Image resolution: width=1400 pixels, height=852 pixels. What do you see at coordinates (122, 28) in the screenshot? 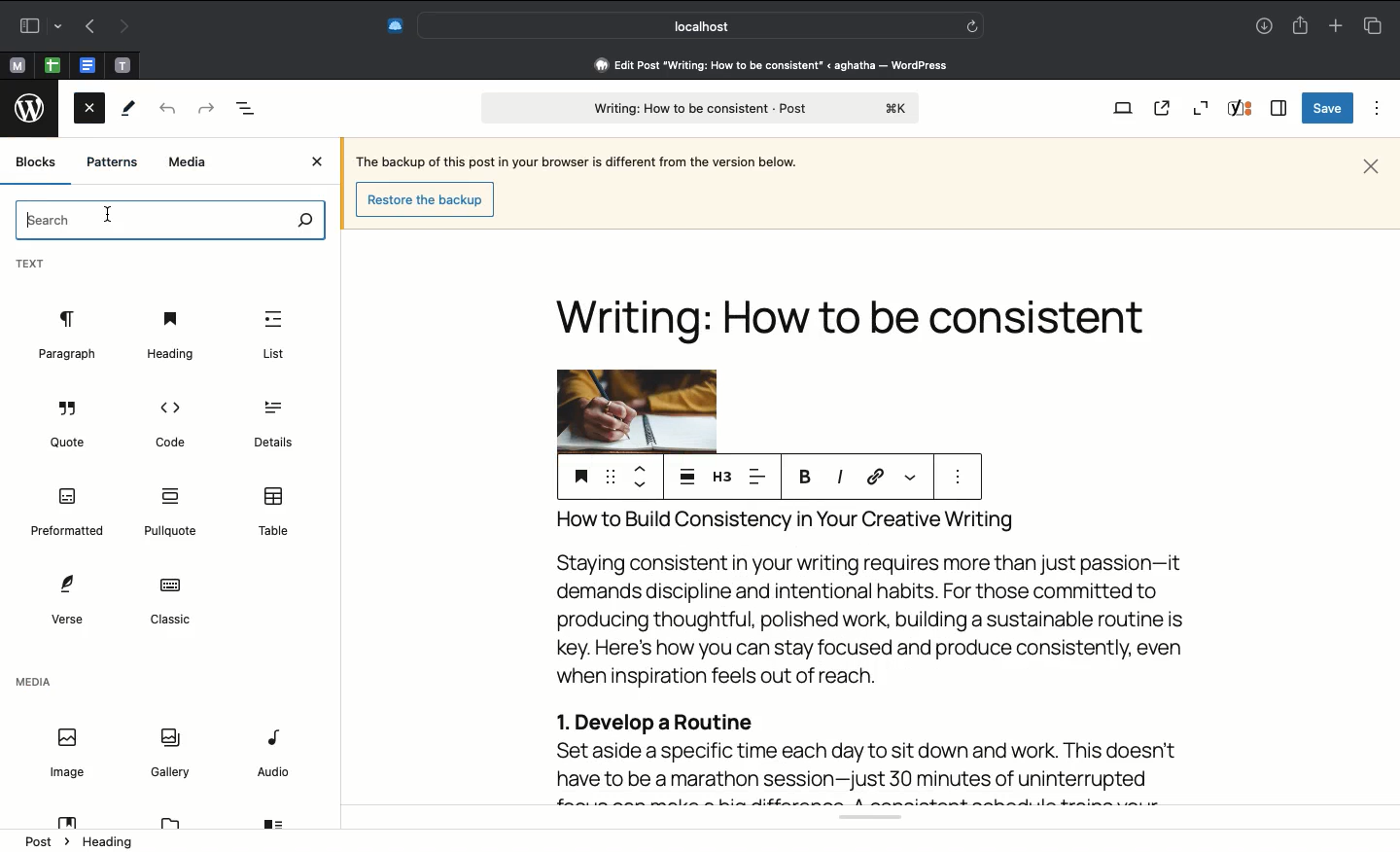
I see `Next page` at bounding box center [122, 28].